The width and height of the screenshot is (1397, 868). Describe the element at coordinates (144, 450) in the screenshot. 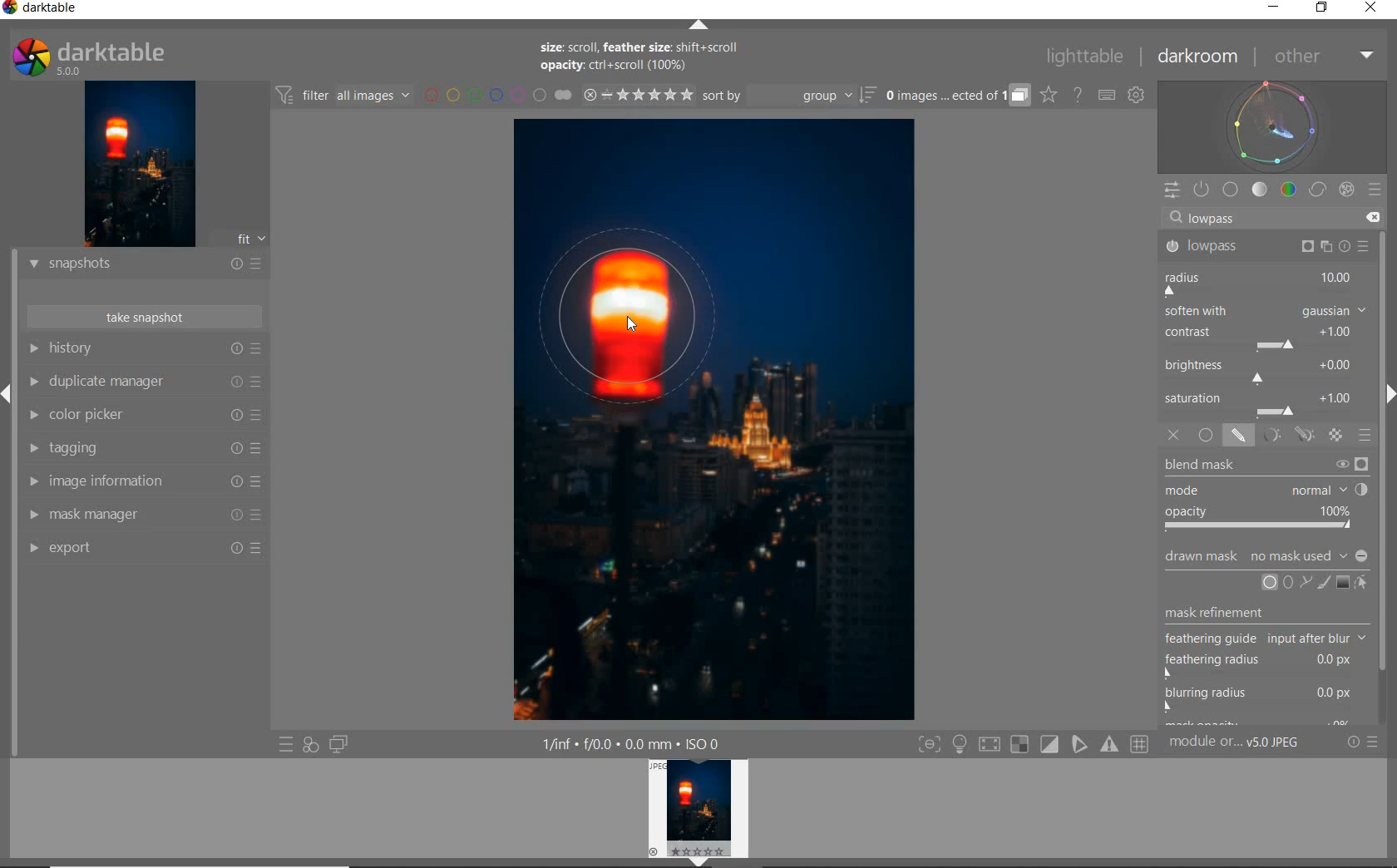

I see `TAGGING` at that location.